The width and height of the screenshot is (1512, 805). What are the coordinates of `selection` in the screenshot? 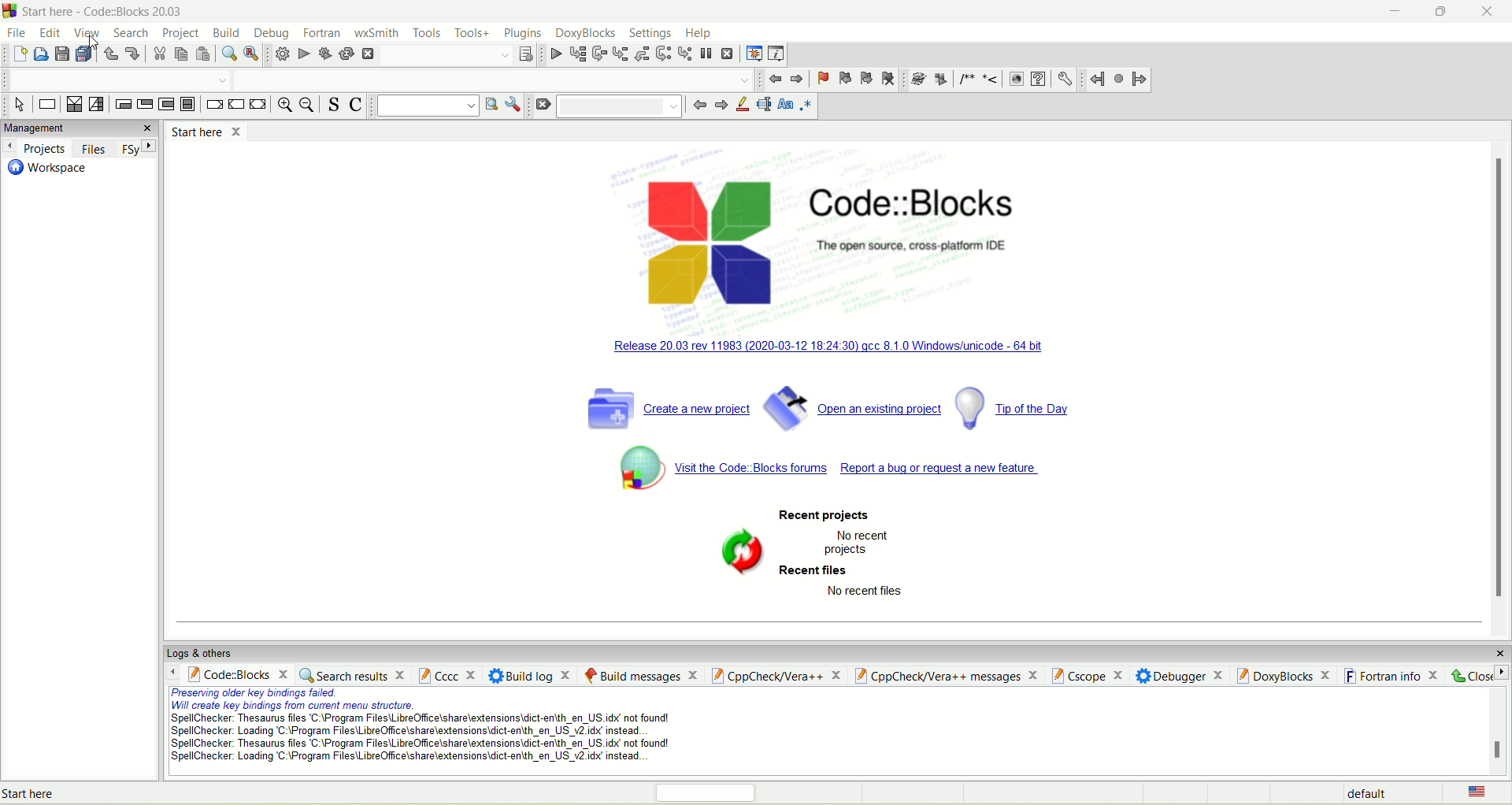 It's located at (97, 104).